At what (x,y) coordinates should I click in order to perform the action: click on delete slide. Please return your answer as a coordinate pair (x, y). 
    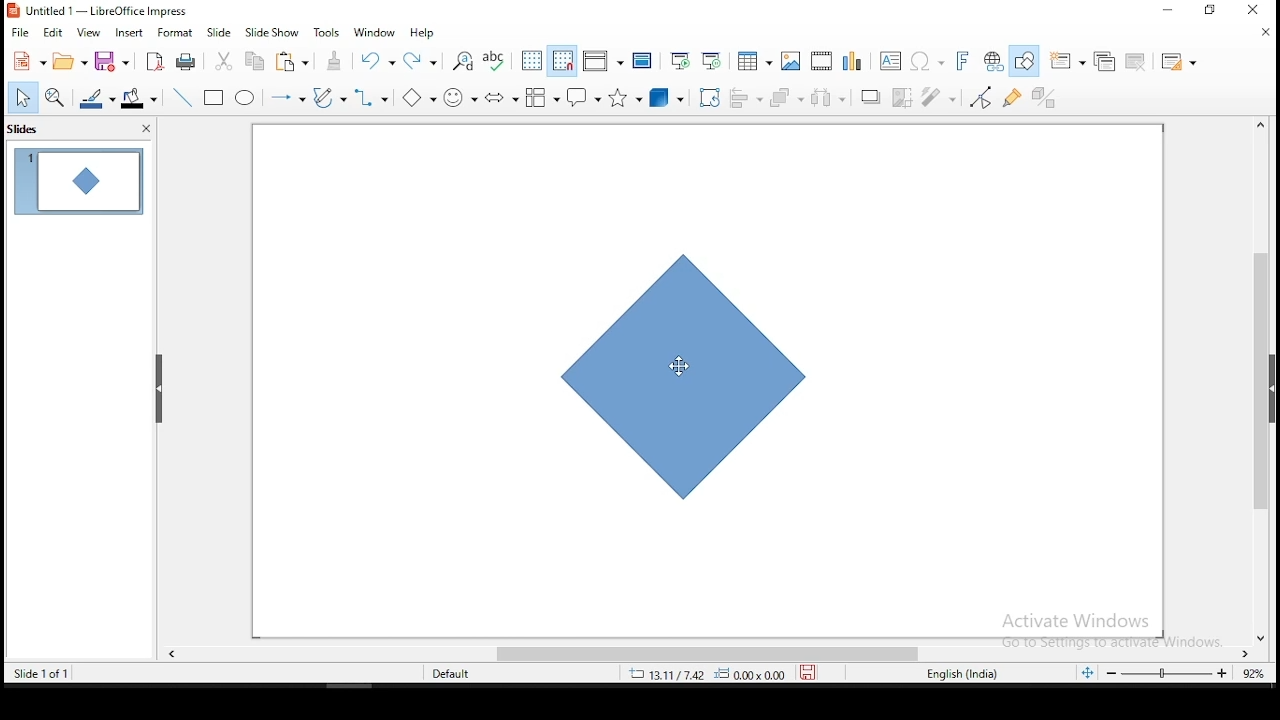
    Looking at the image, I should click on (1137, 63).